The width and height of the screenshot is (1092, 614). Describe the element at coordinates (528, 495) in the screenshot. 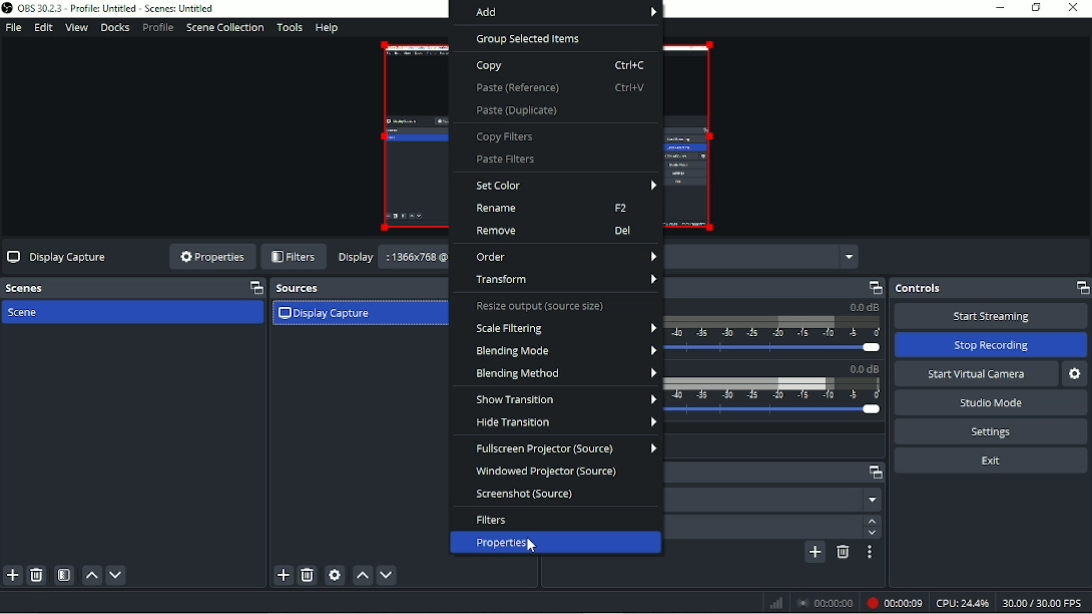

I see `Screenshot` at that location.